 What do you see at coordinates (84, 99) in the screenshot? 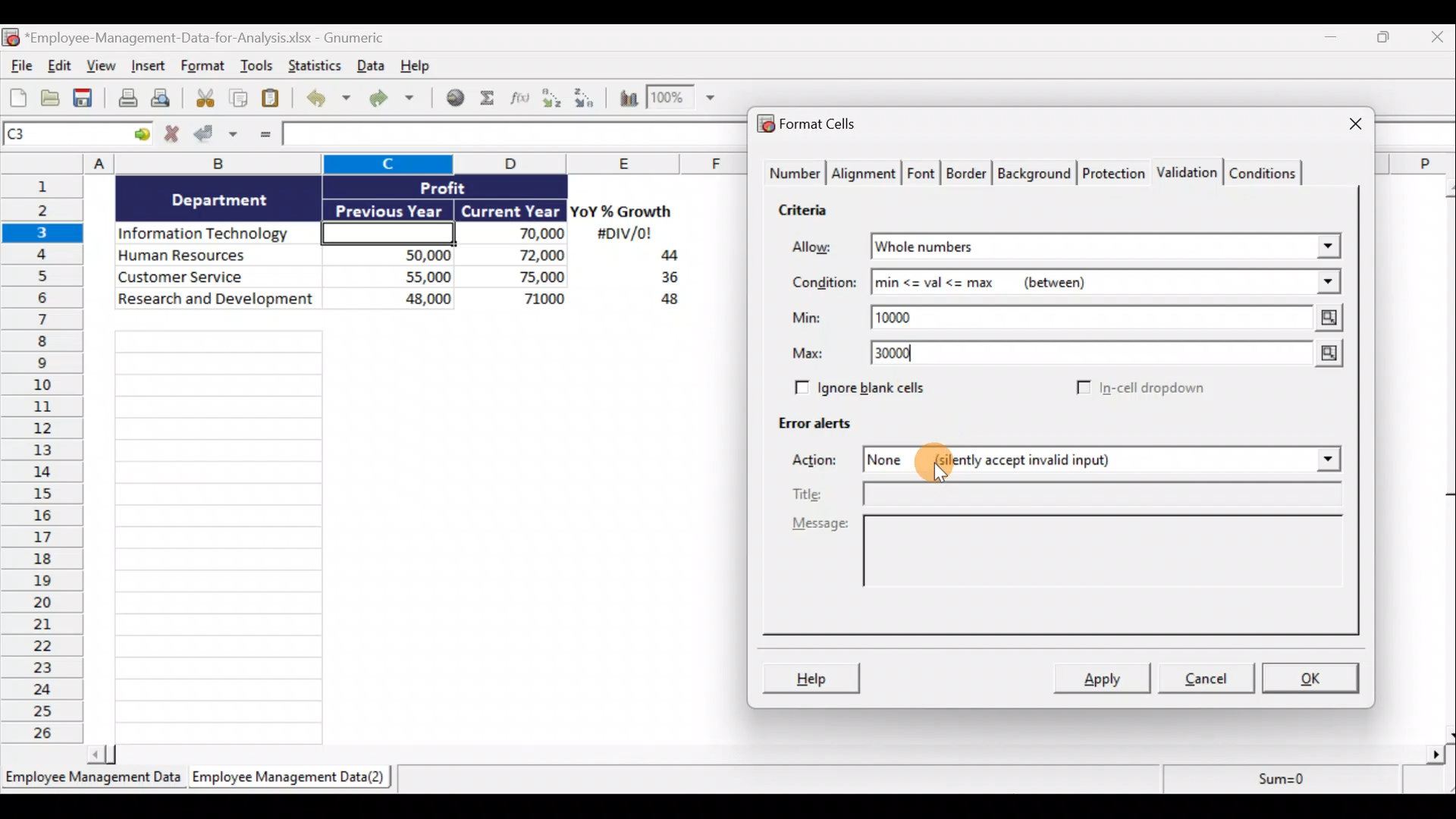
I see `Save current workbook` at bounding box center [84, 99].